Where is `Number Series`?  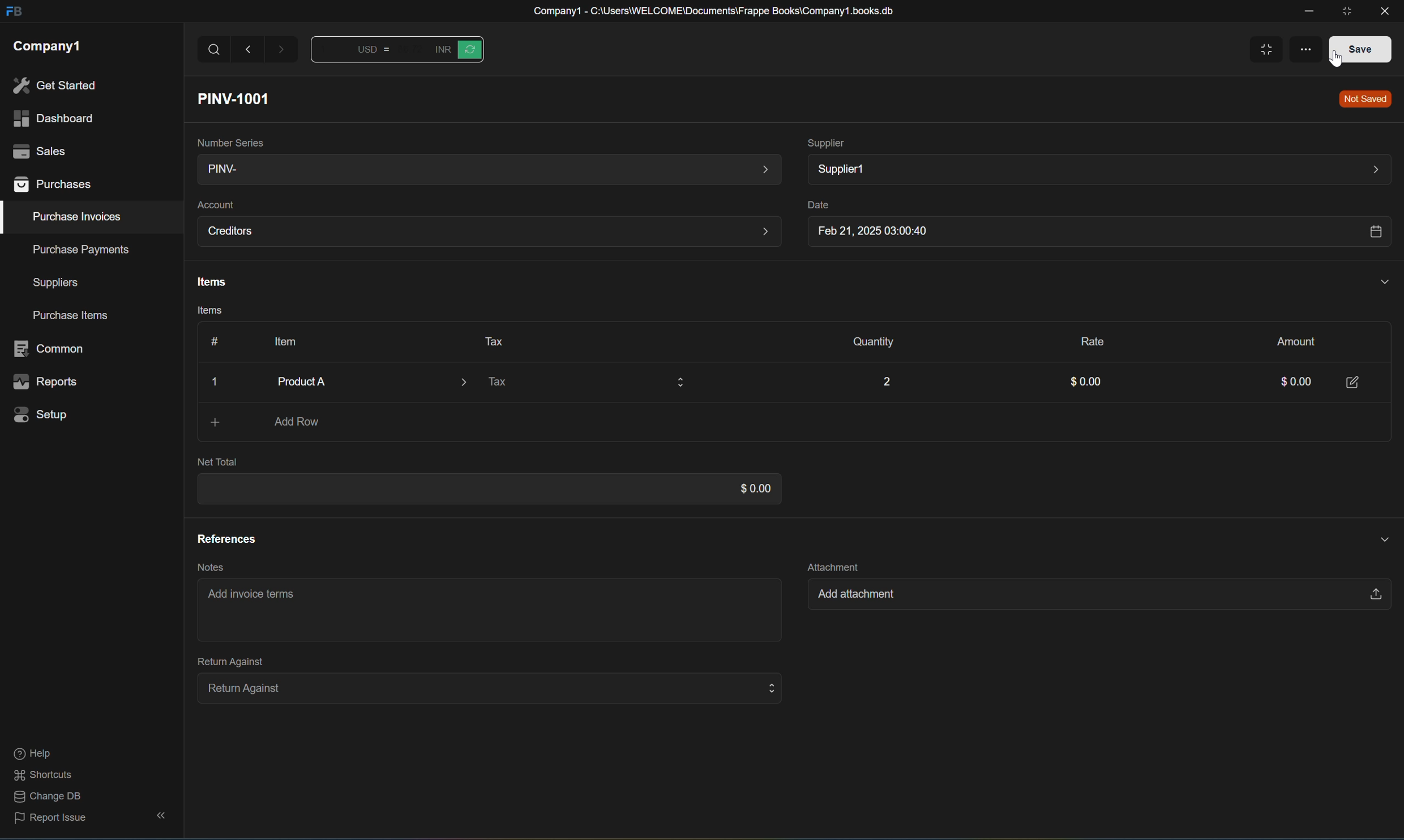
Number Series is located at coordinates (228, 140).